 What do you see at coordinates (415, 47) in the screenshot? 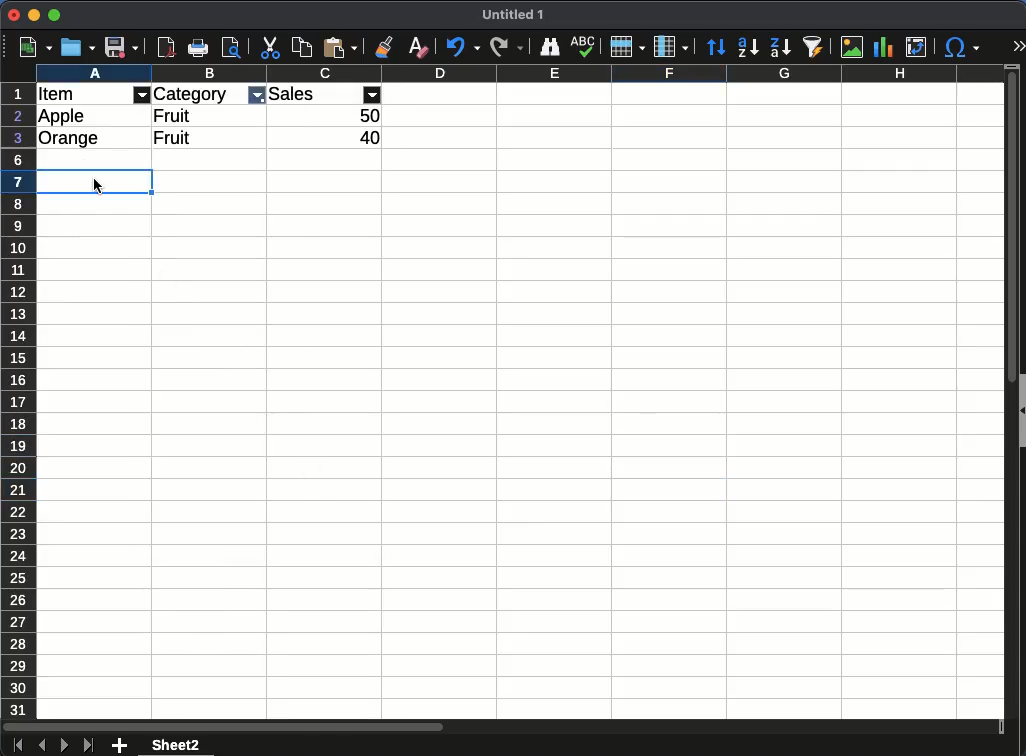
I see `clear formatting` at bounding box center [415, 47].